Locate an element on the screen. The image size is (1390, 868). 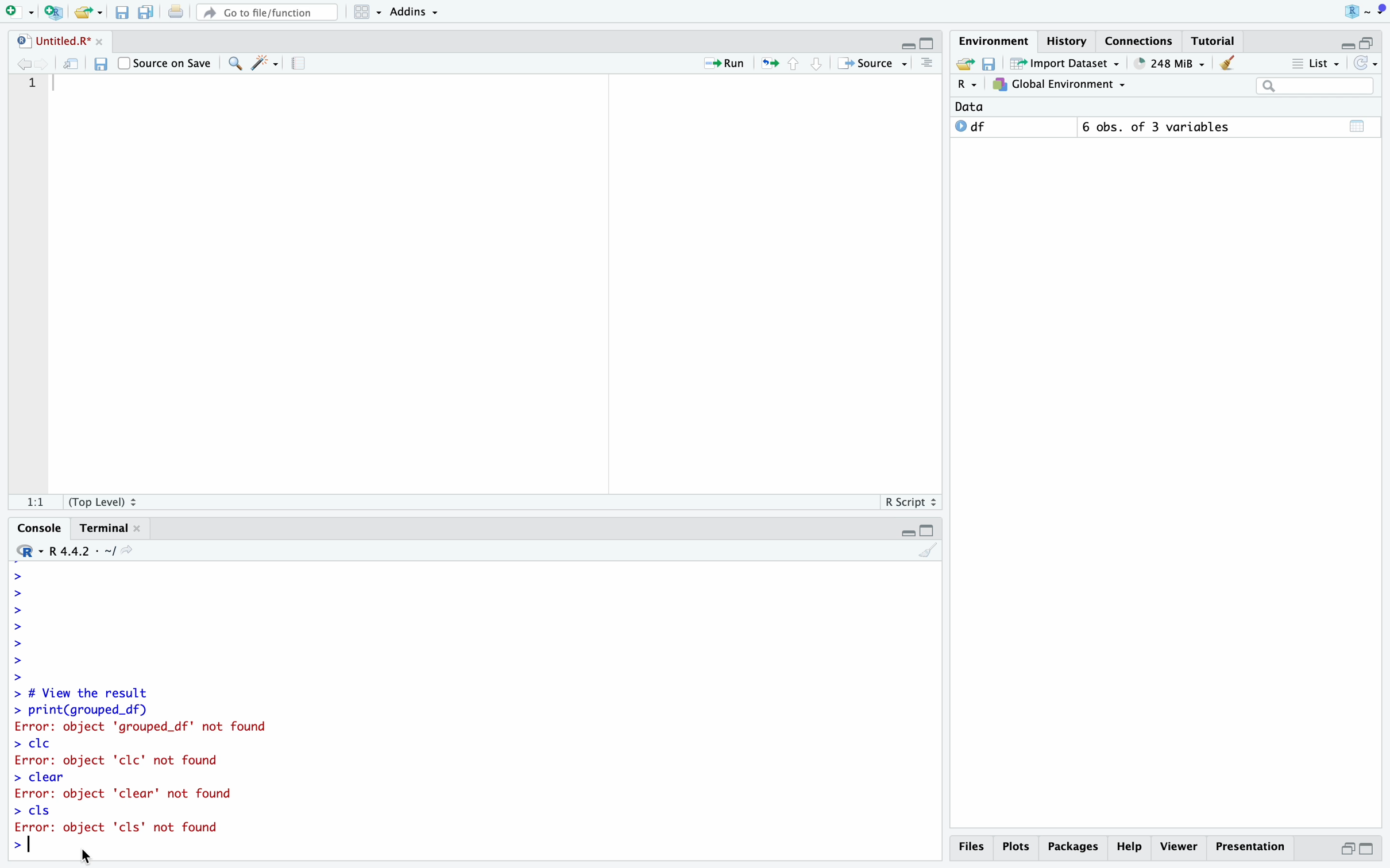
Save current file is located at coordinates (123, 13).